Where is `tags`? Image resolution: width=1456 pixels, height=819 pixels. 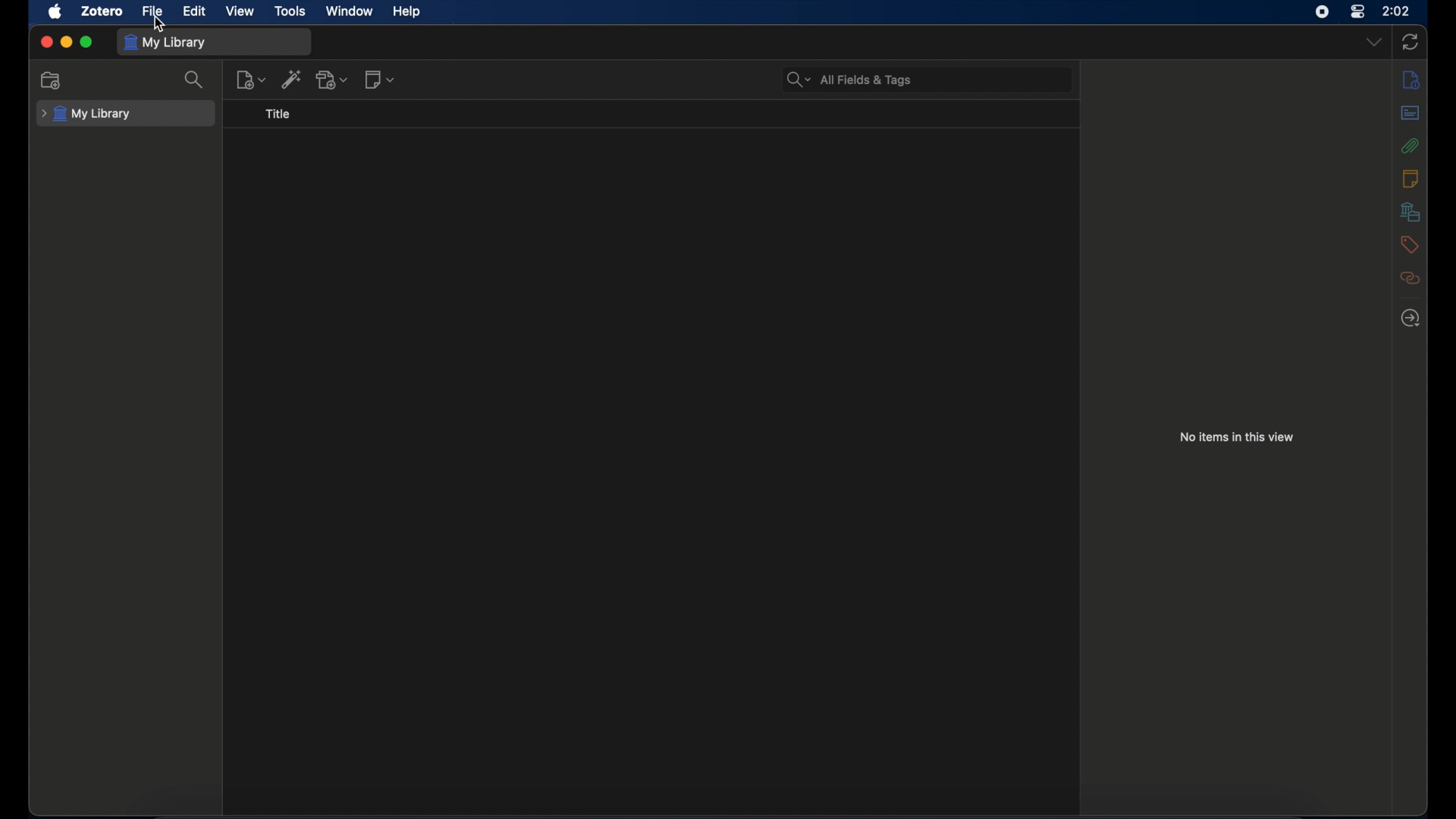
tags is located at coordinates (1409, 245).